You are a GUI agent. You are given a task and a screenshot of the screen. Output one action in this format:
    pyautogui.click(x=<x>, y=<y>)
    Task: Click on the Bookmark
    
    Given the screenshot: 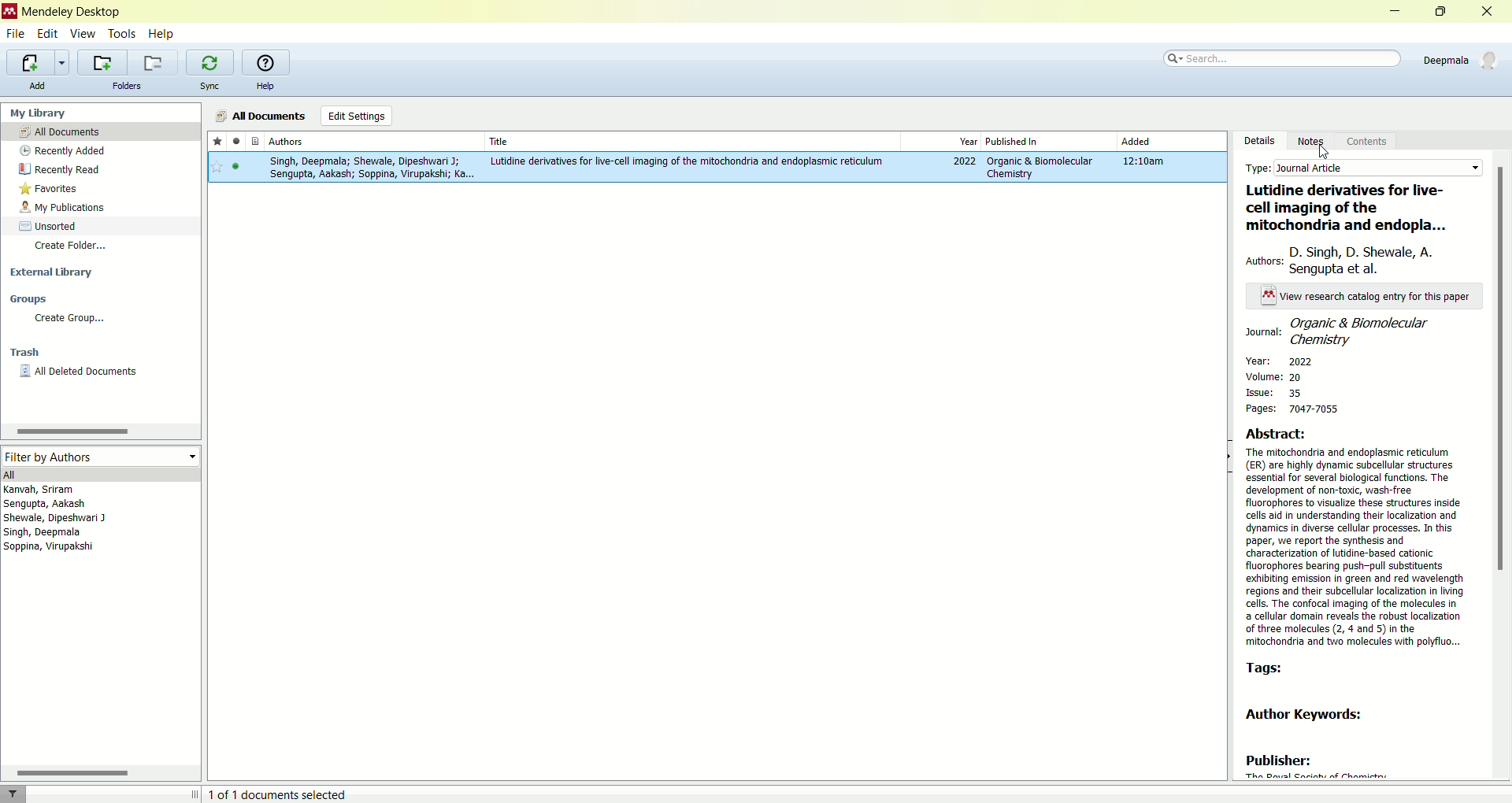 What is the action you would take?
    pyautogui.click(x=217, y=168)
    